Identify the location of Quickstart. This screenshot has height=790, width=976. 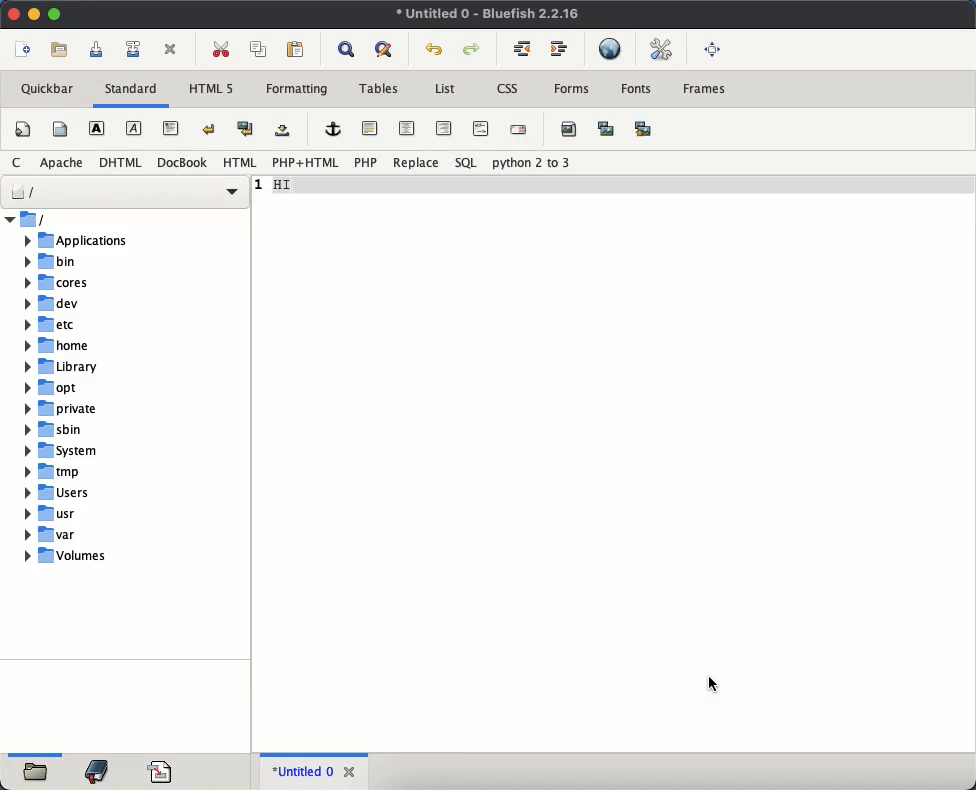
(23, 132).